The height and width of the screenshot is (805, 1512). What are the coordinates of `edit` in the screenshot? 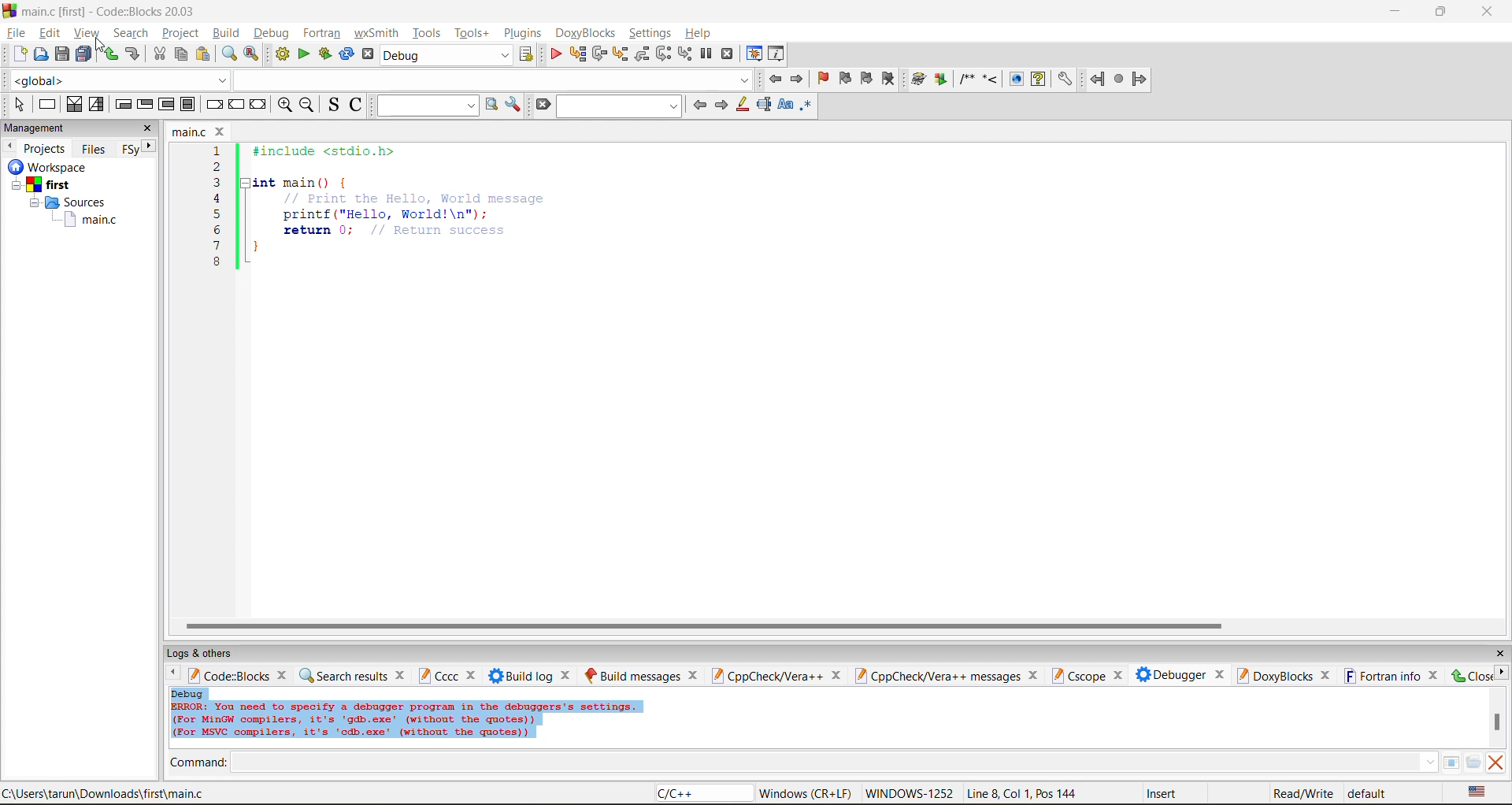 It's located at (50, 32).